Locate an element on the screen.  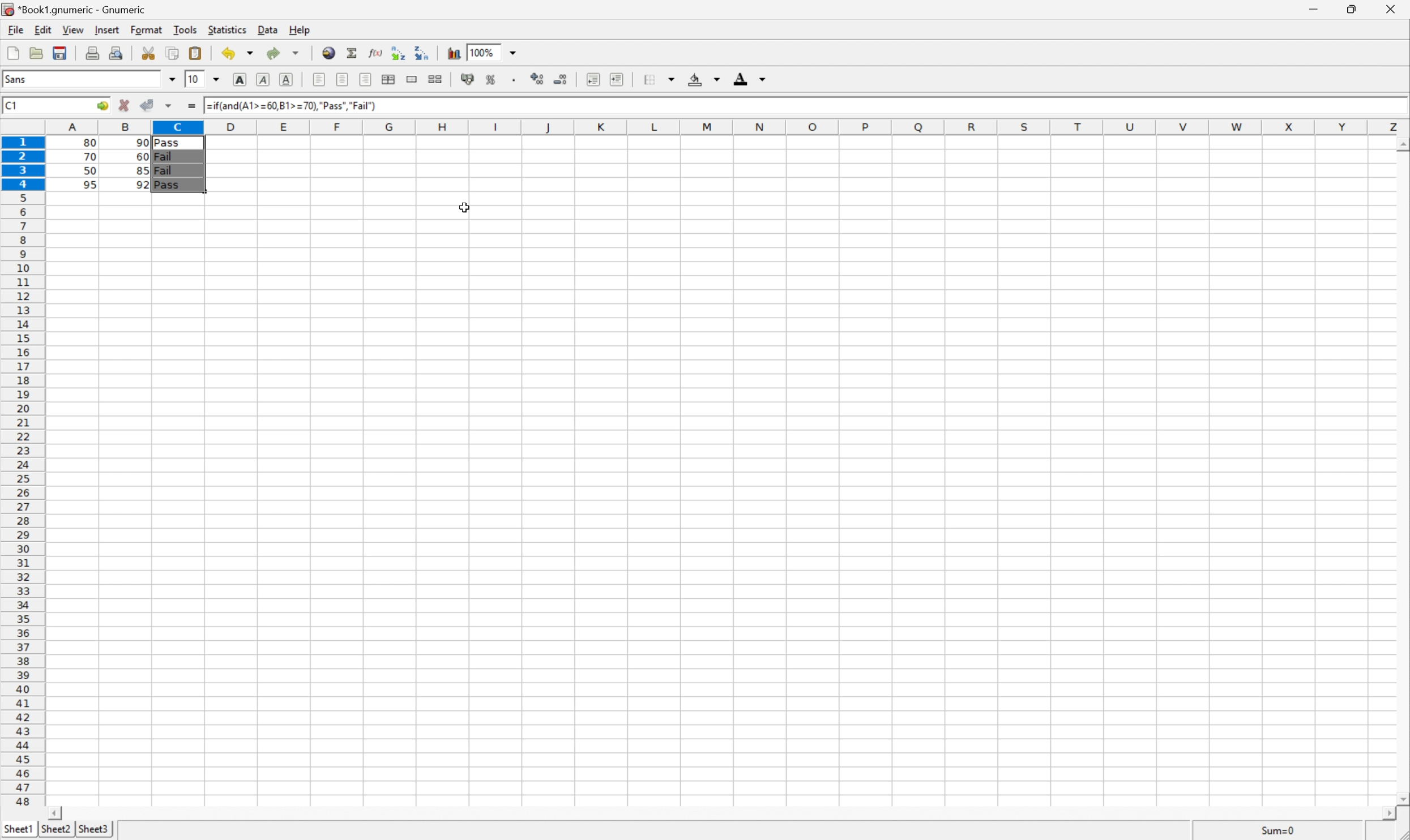
Foreground is located at coordinates (749, 76).